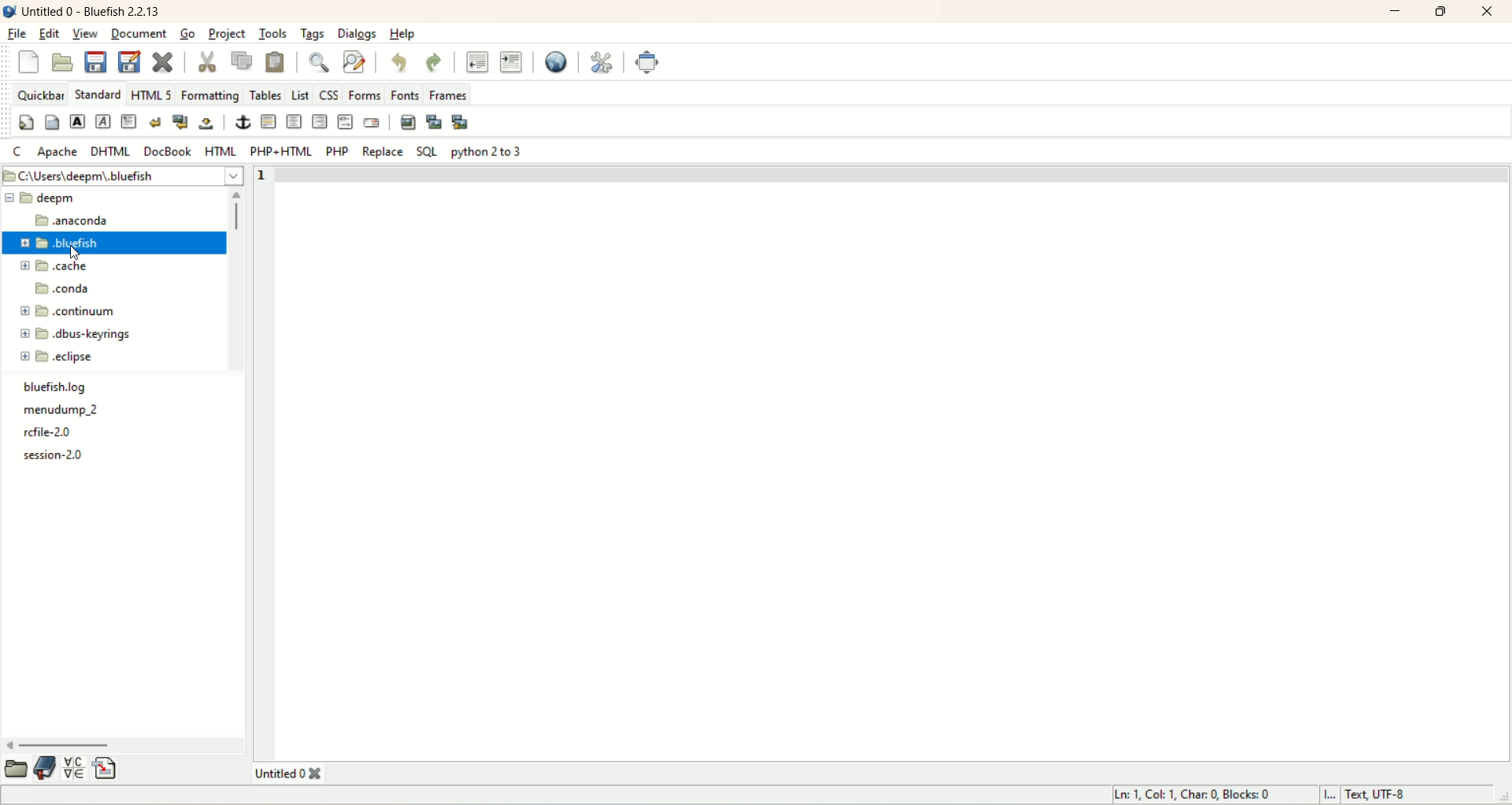 This screenshot has width=1512, height=805. What do you see at coordinates (124, 742) in the screenshot?
I see `horizontal scroll bar` at bounding box center [124, 742].